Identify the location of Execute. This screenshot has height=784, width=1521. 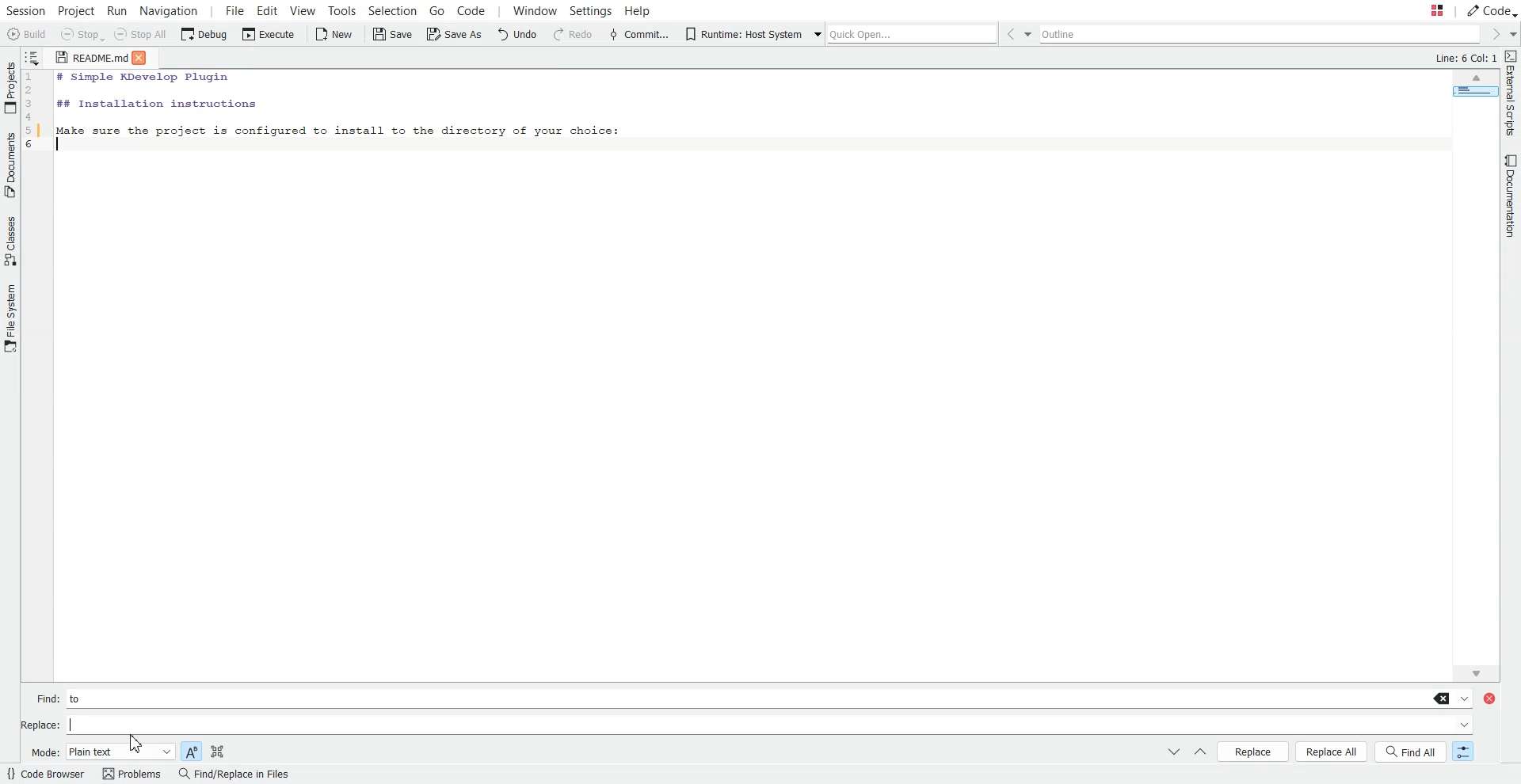
(266, 35).